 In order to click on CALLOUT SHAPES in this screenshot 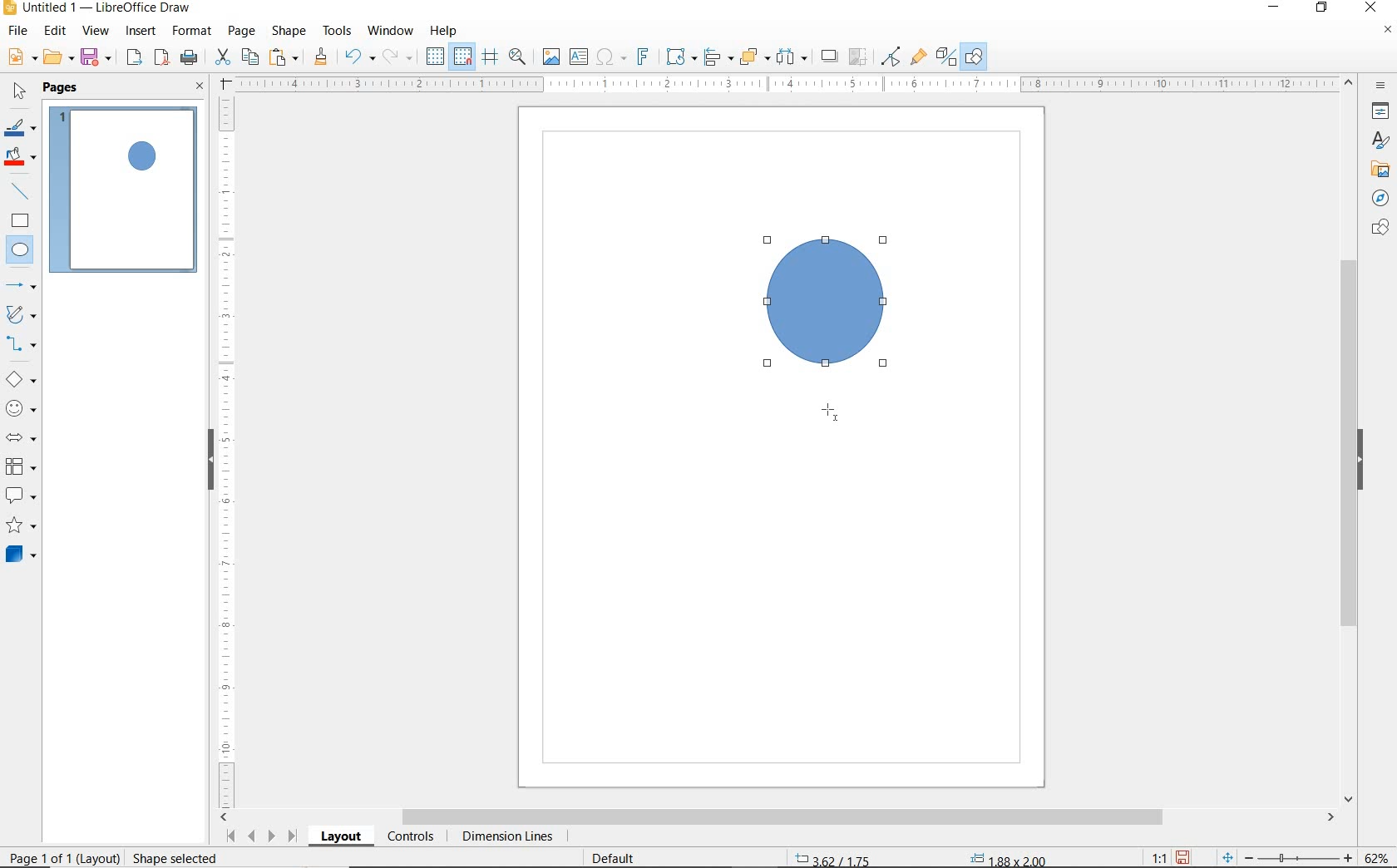, I will do `click(20, 496)`.